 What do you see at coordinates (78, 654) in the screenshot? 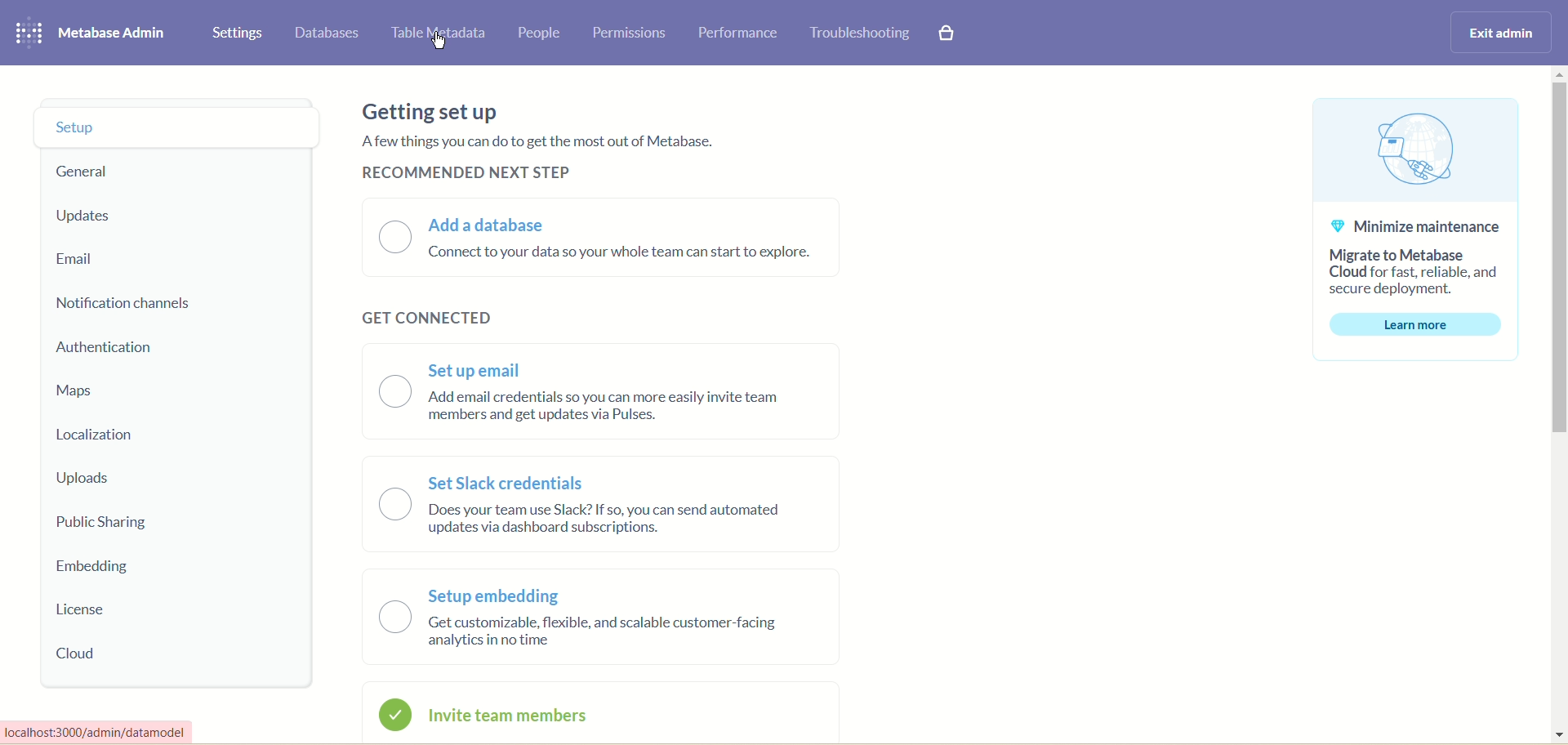
I see `cloud` at bounding box center [78, 654].